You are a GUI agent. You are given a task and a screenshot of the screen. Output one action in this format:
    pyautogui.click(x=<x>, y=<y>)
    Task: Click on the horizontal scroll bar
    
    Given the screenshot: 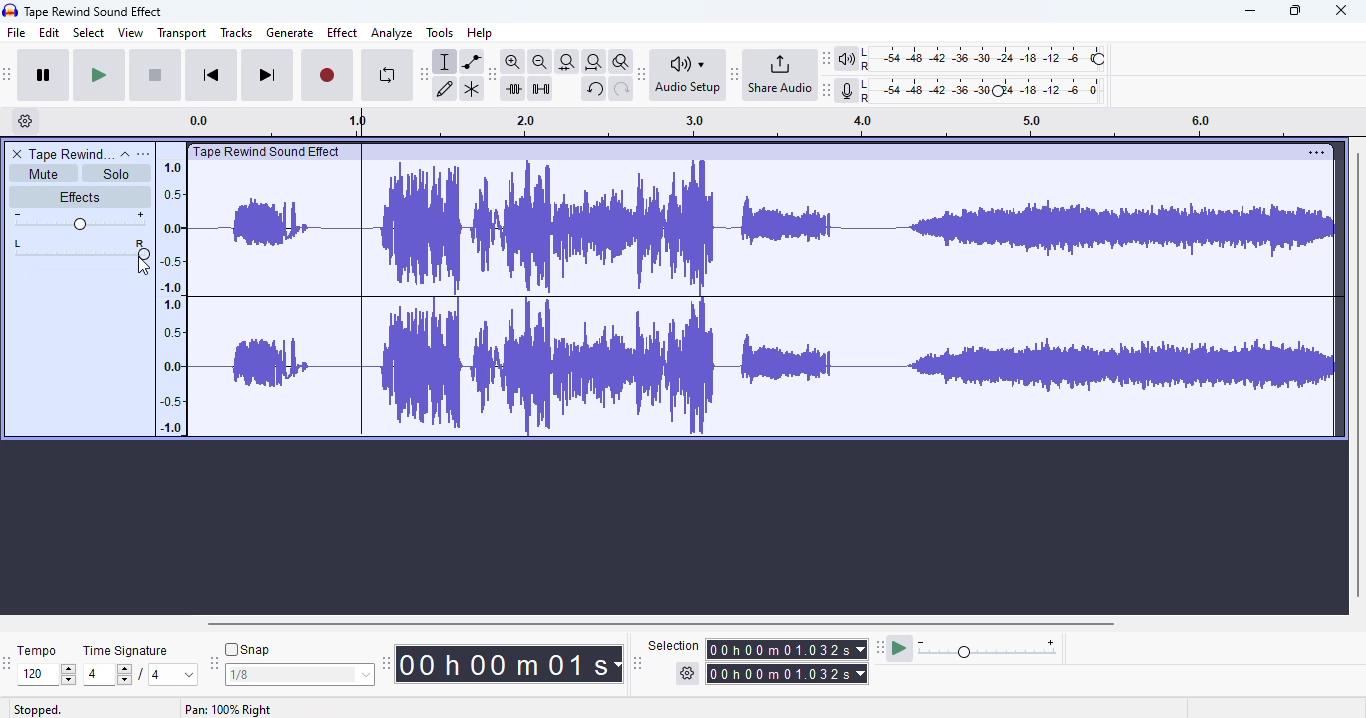 What is the action you would take?
    pyautogui.click(x=663, y=624)
    